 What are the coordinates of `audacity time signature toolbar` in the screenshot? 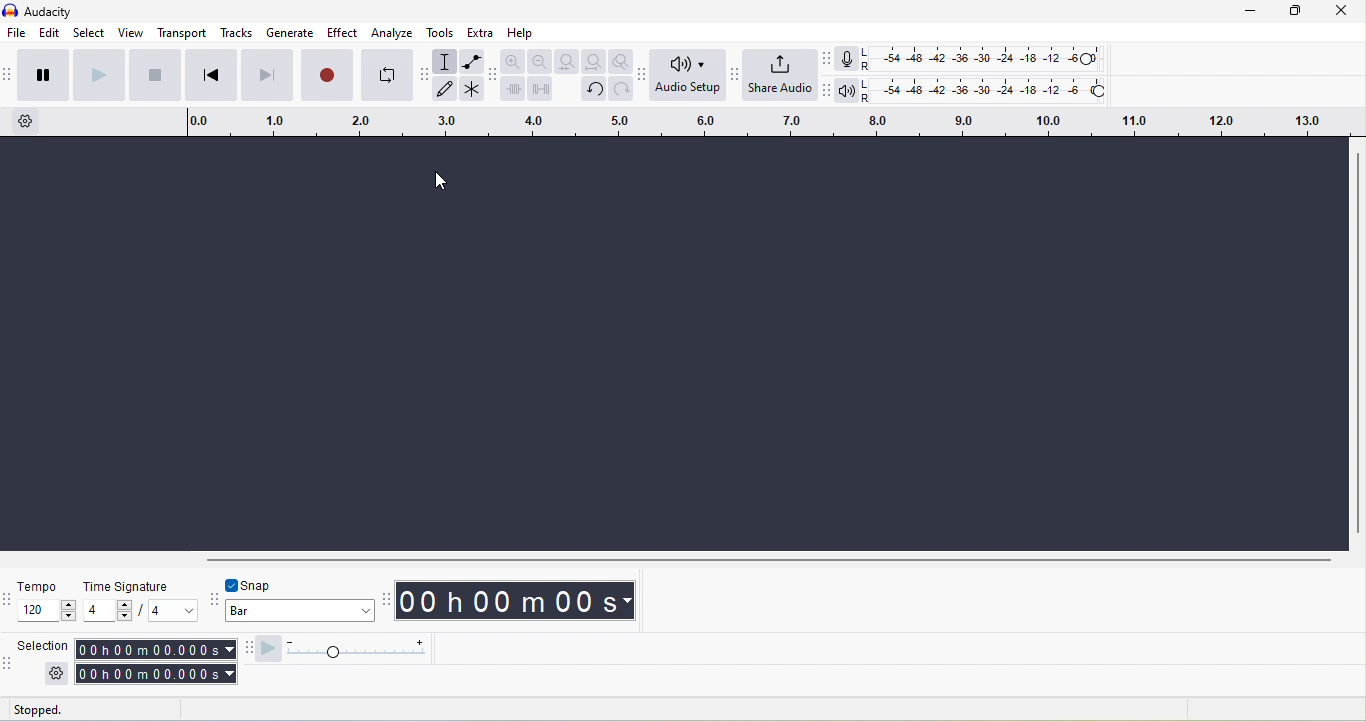 It's located at (9, 604).